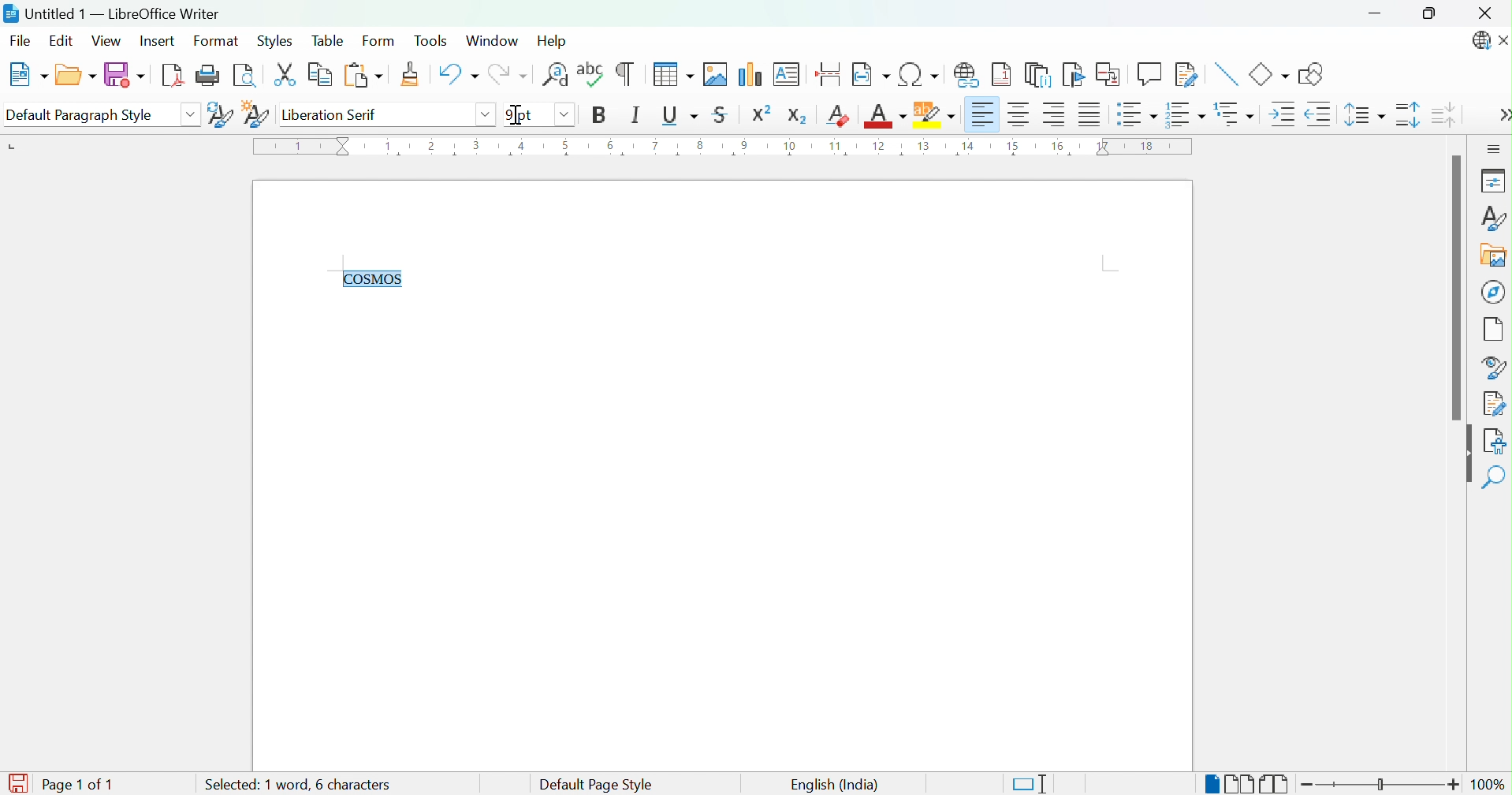 Image resolution: width=1512 pixels, height=795 pixels. Describe the element at coordinates (1089, 116) in the screenshot. I see `Justified` at that location.